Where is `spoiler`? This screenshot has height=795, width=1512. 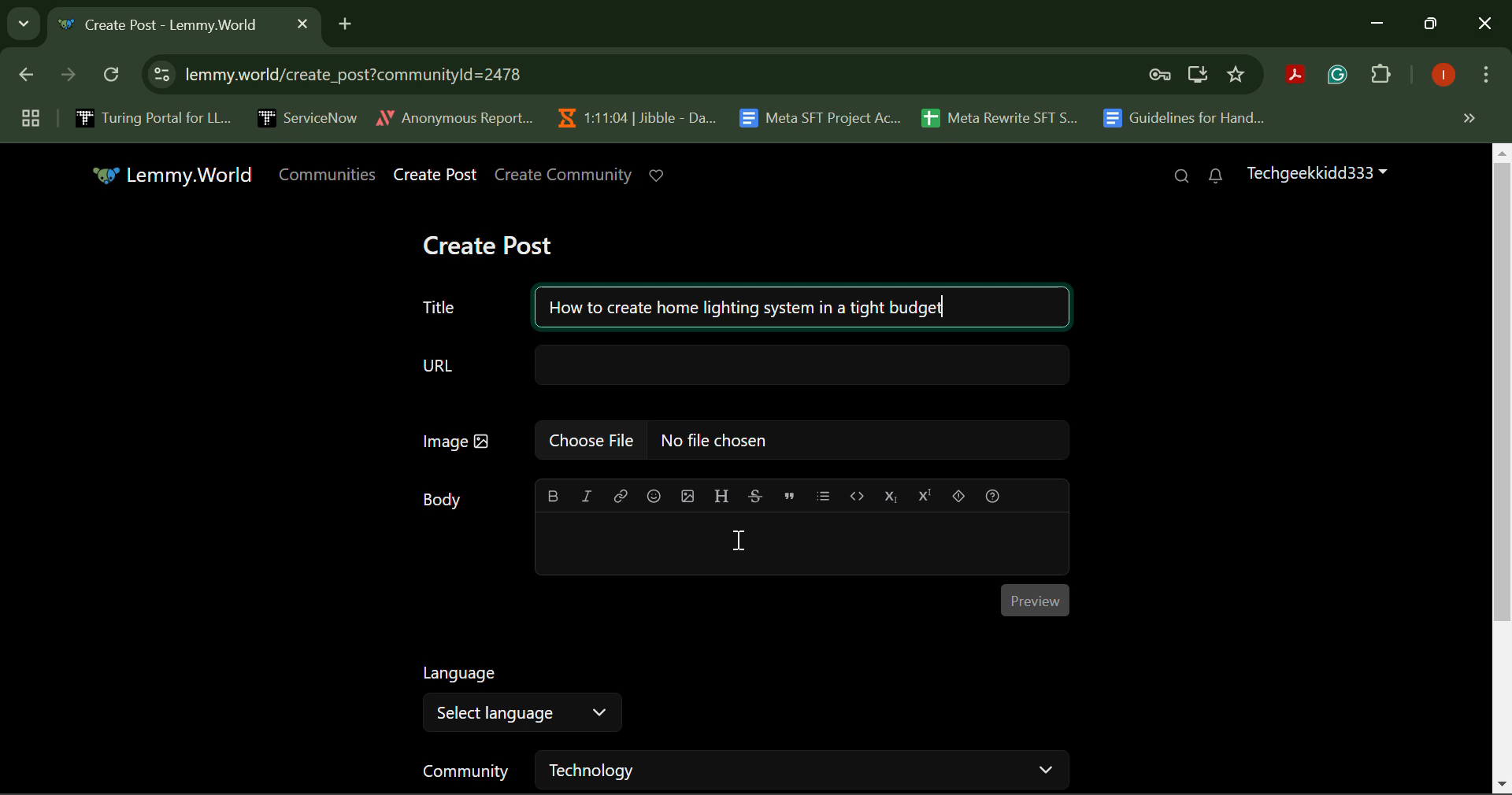 spoiler is located at coordinates (959, 496).